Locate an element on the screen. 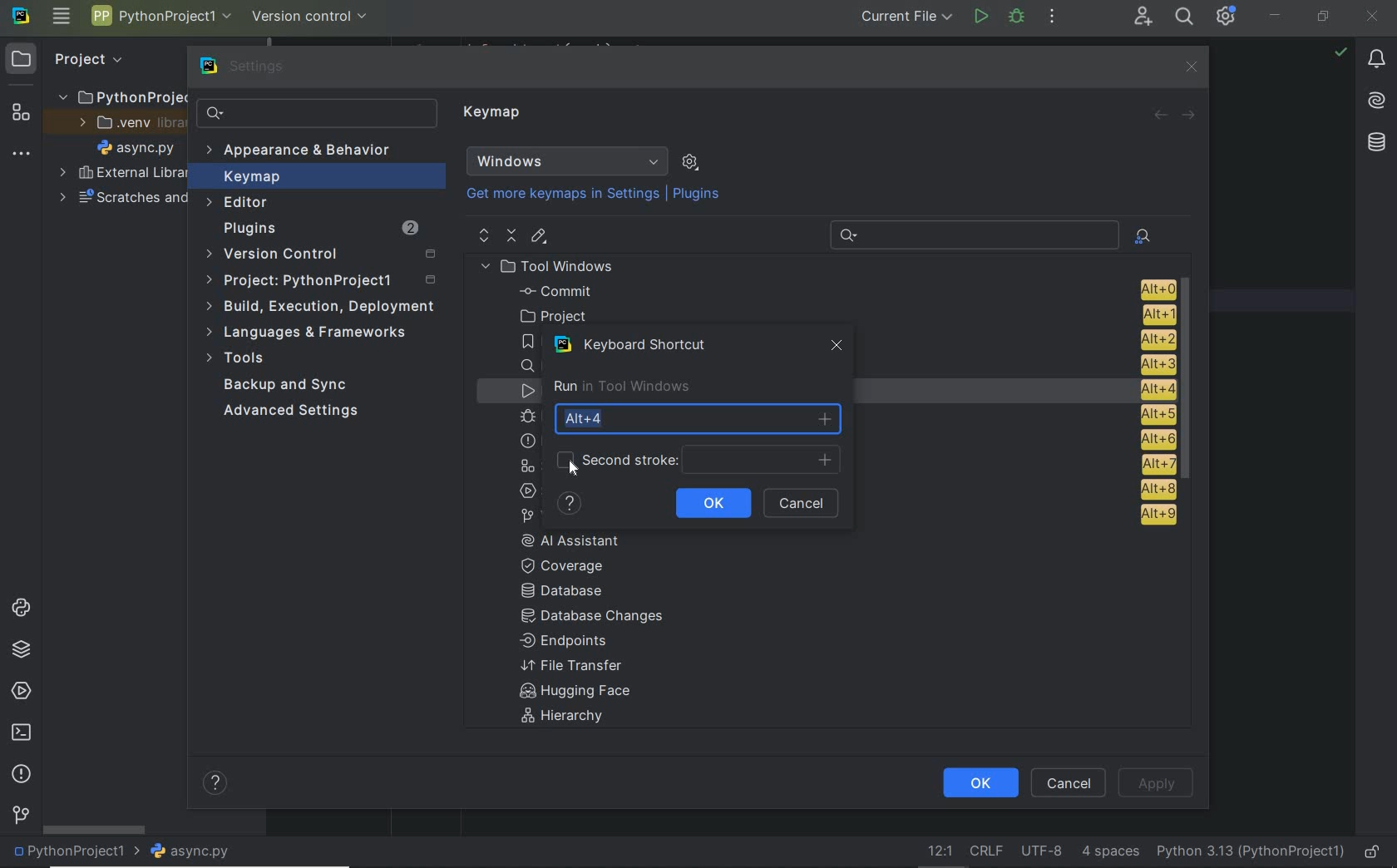 This screenshot has height=868, width=1397. PythonProject is located at coordinates (122, 96).